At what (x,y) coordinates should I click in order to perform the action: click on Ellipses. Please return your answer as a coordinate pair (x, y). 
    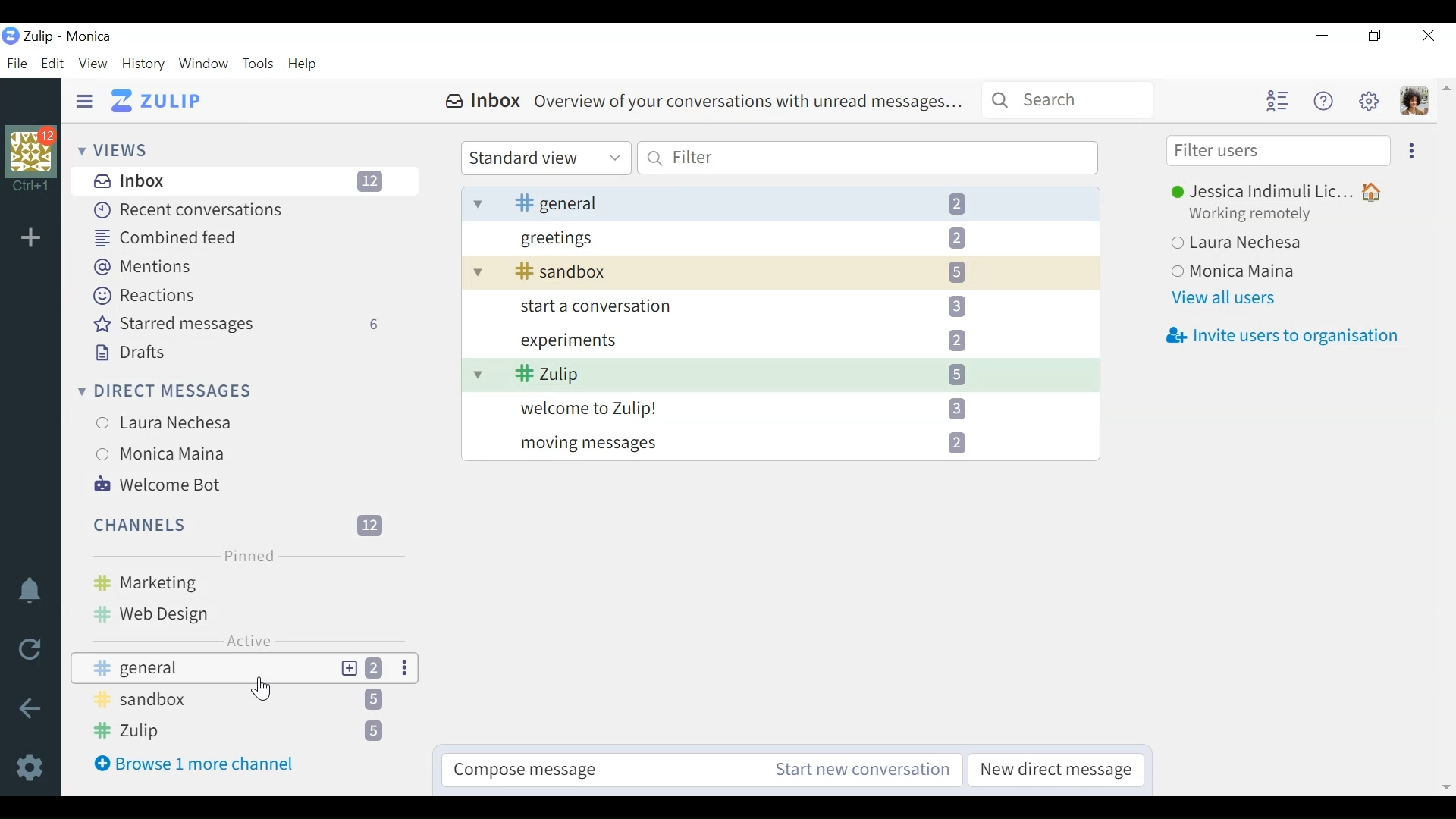
    Looking at the image, I should click on (406, 668).